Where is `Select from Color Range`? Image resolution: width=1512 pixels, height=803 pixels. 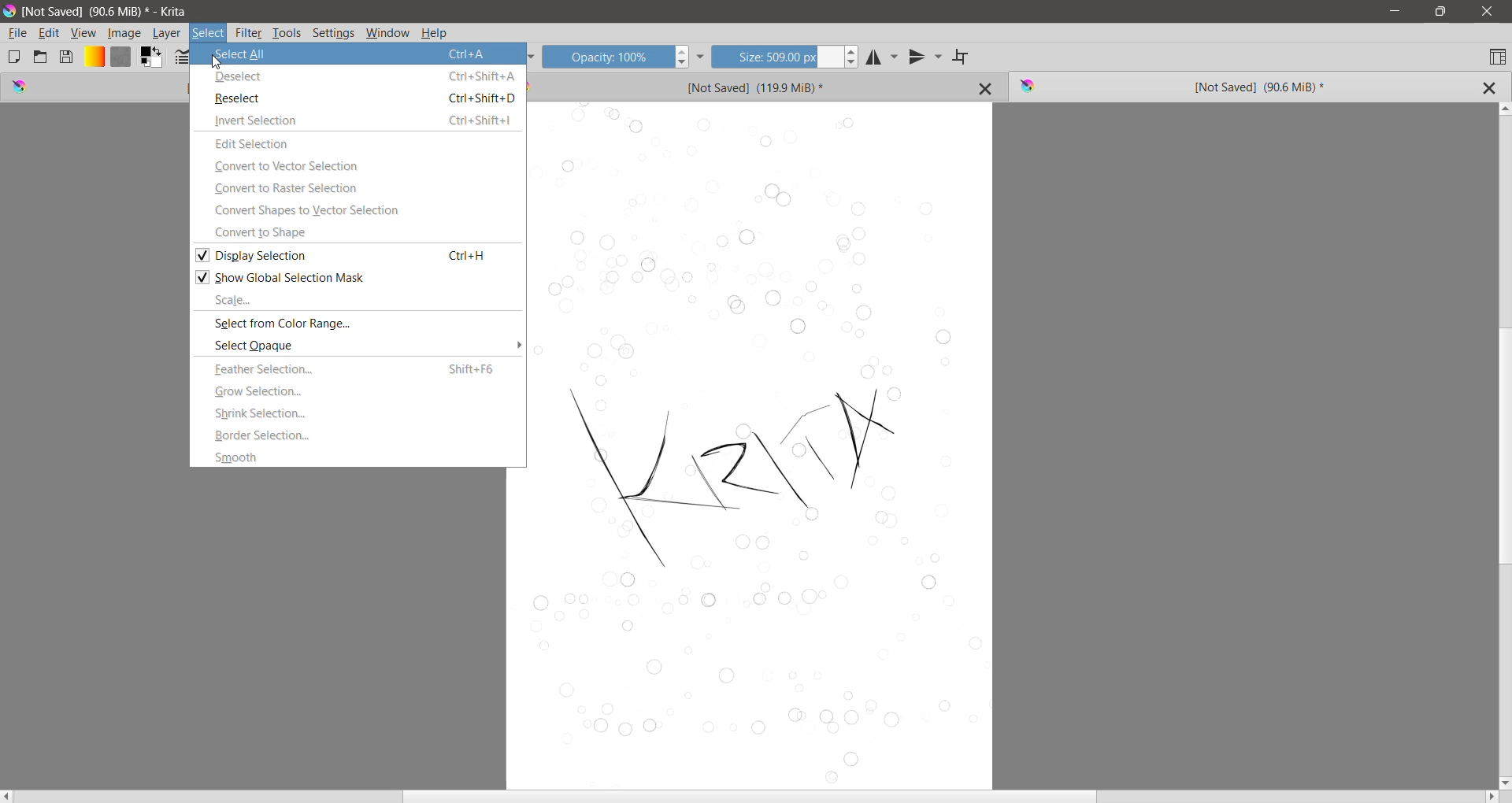 Select from Color Range is located at coordinates (358, 324).